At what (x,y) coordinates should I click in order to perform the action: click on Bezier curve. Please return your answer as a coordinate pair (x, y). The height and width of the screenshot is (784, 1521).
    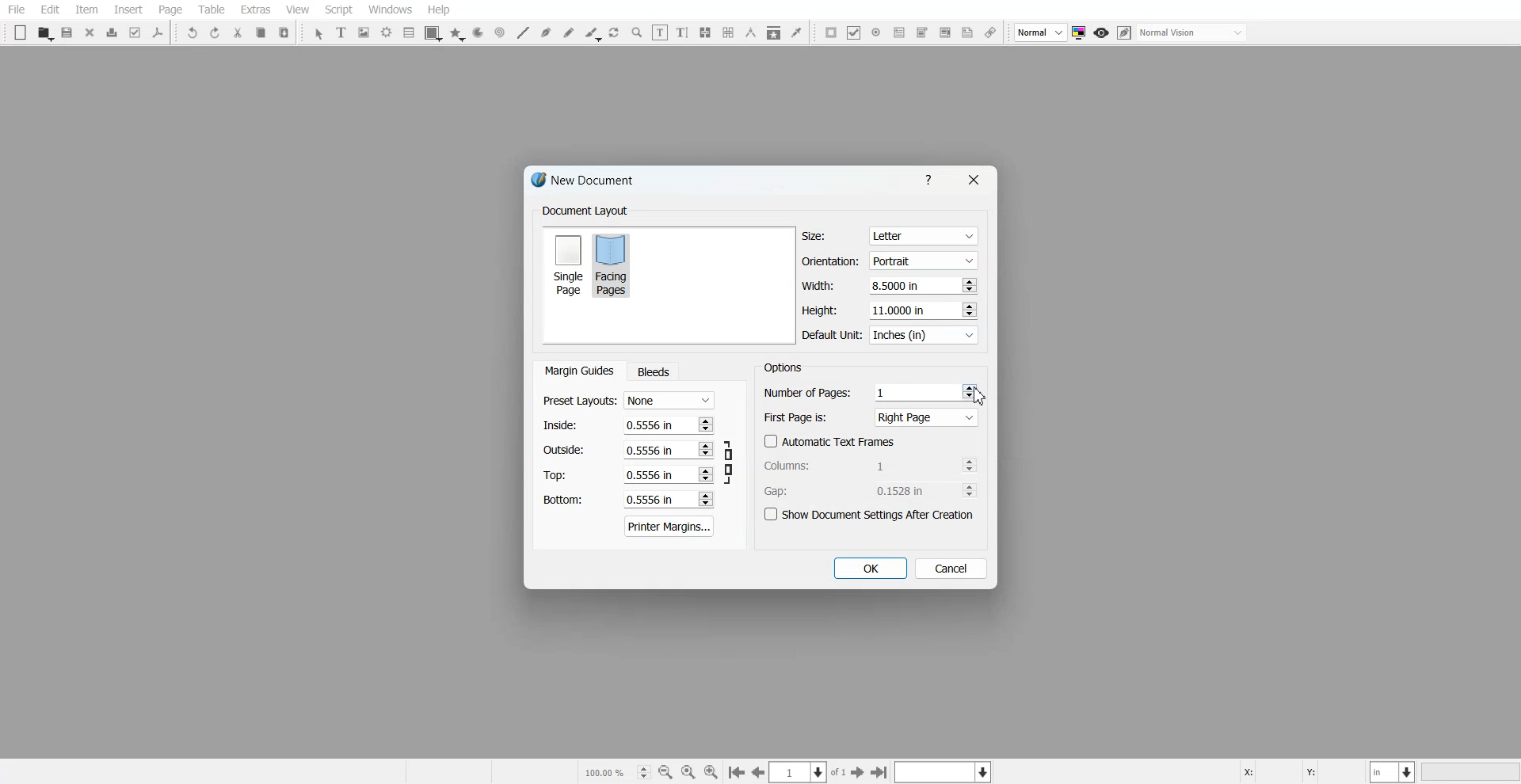
    Looking at the image, I should click on (546, 32).